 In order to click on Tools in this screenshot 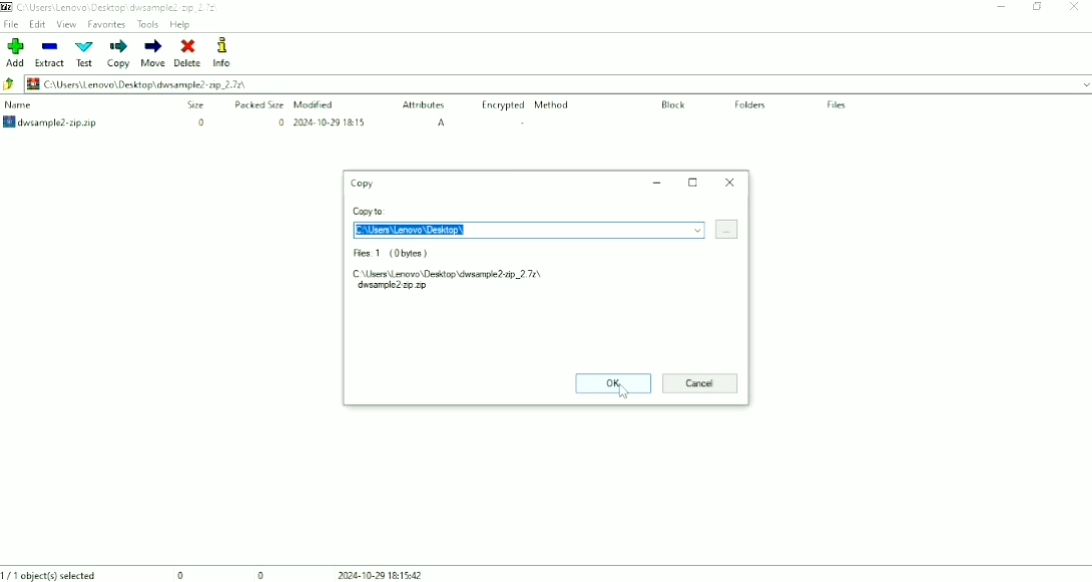, I will do `click(148, 24)`.